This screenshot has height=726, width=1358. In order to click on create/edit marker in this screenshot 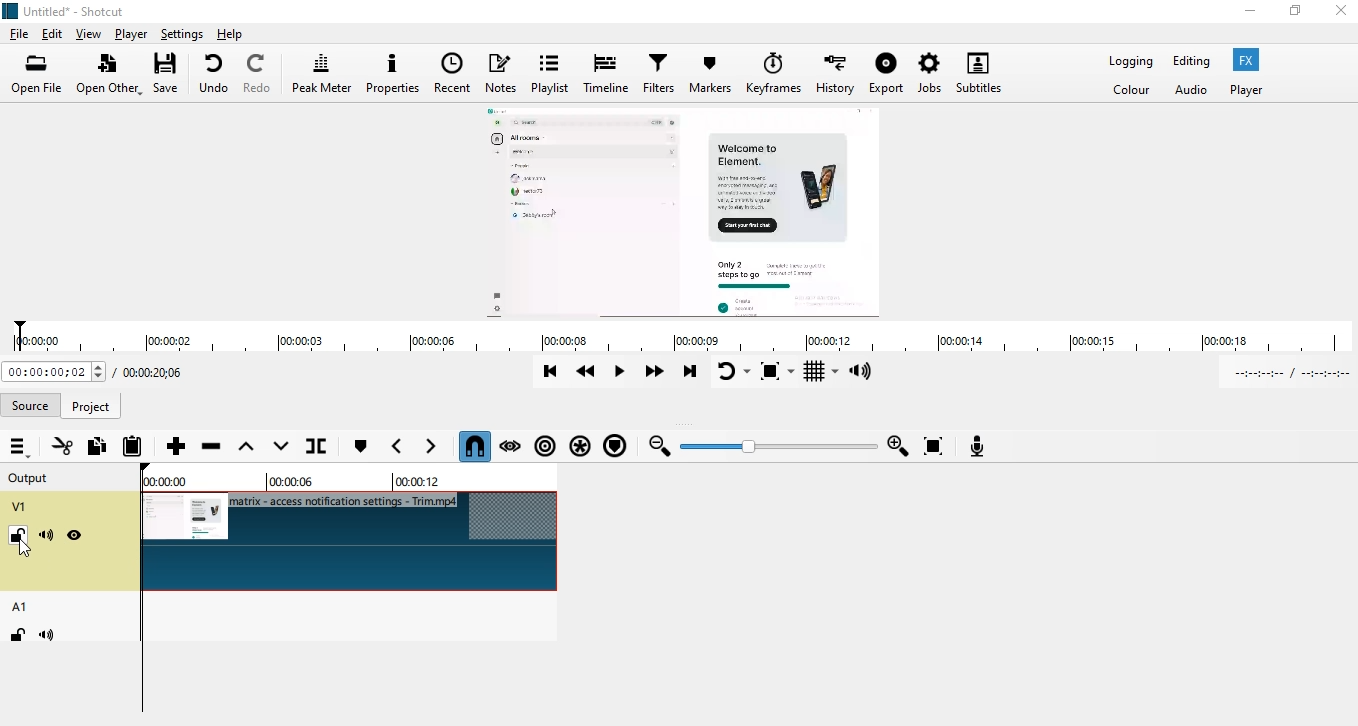, I will do `click(360, 448)`.